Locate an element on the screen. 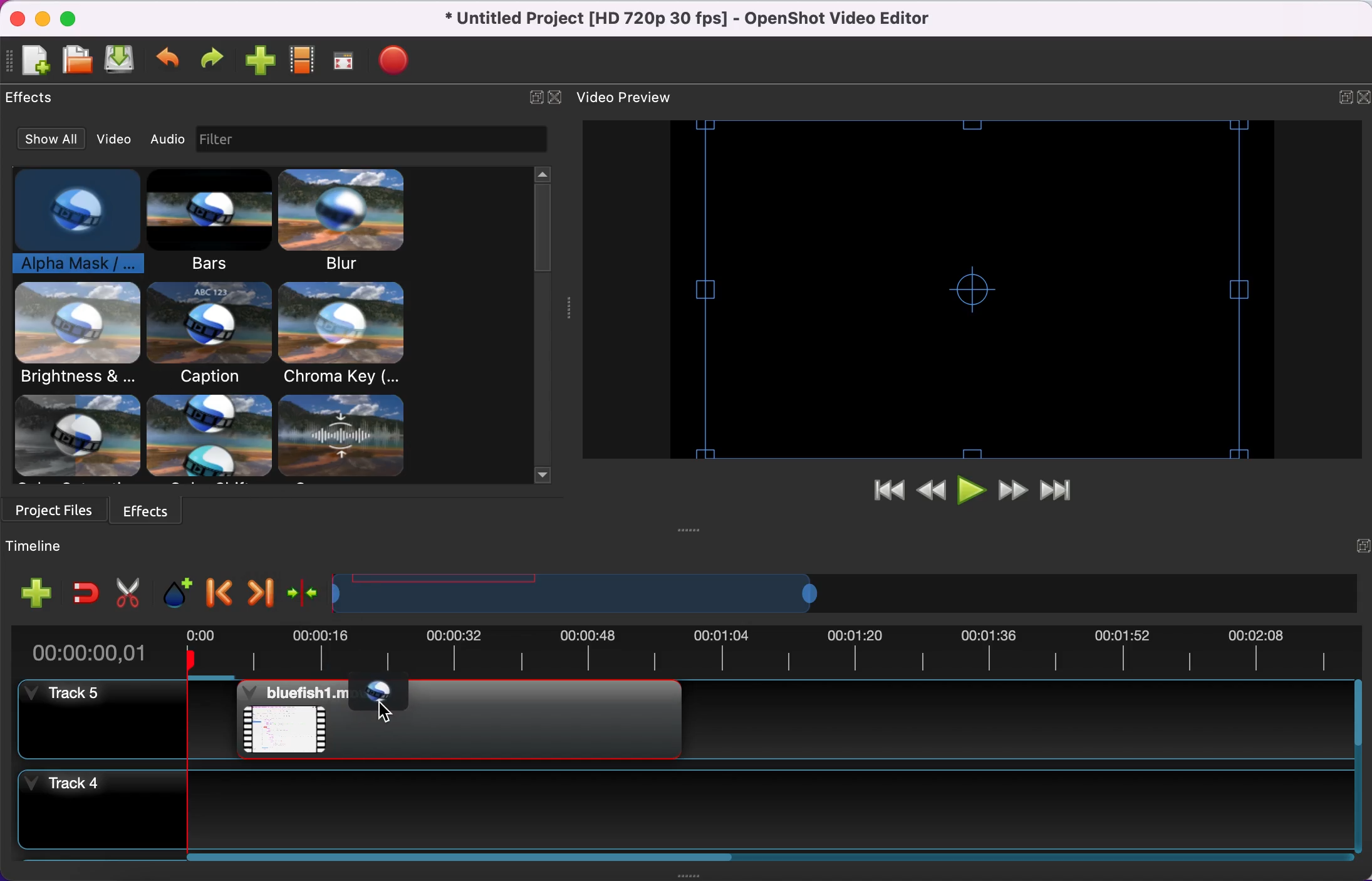 The image size is (1372, 881). track 4 is located at coordinates (694, 813).